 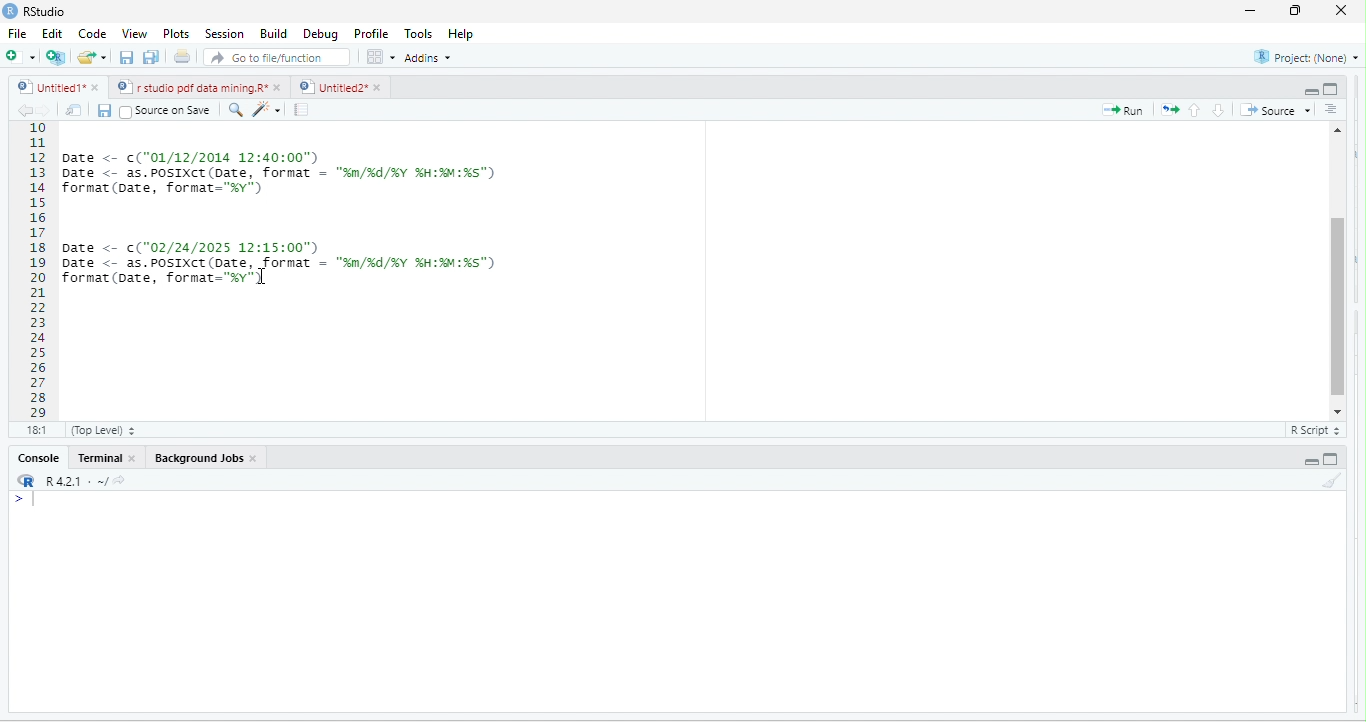 I want to click on rs studio logo, so click(x=24, y=481).